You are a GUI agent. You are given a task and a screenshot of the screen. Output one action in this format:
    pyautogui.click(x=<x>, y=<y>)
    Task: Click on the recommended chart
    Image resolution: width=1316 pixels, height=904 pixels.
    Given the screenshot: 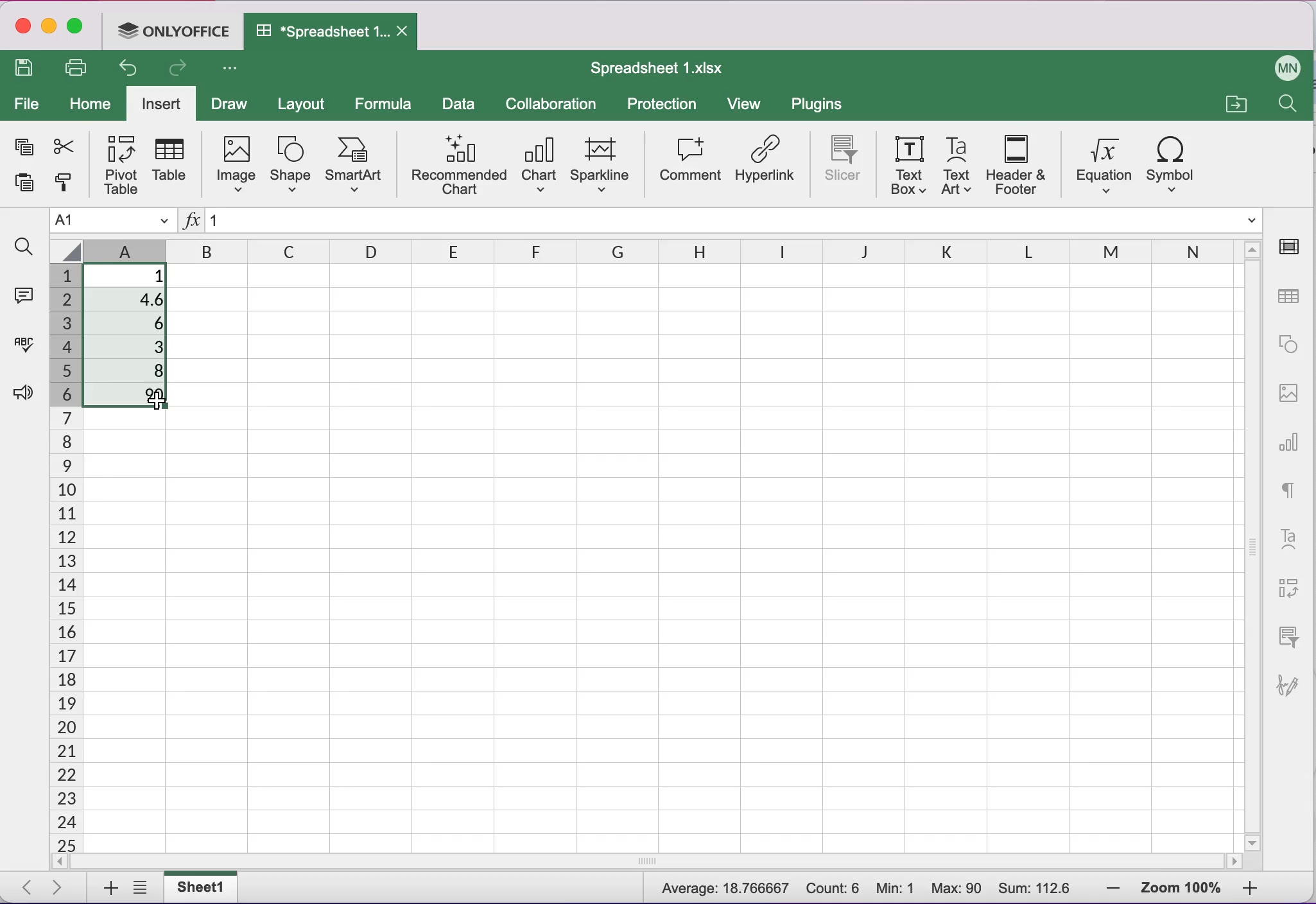 What is the action you would take?
    pyautogui.click(x=456, y=167)
    